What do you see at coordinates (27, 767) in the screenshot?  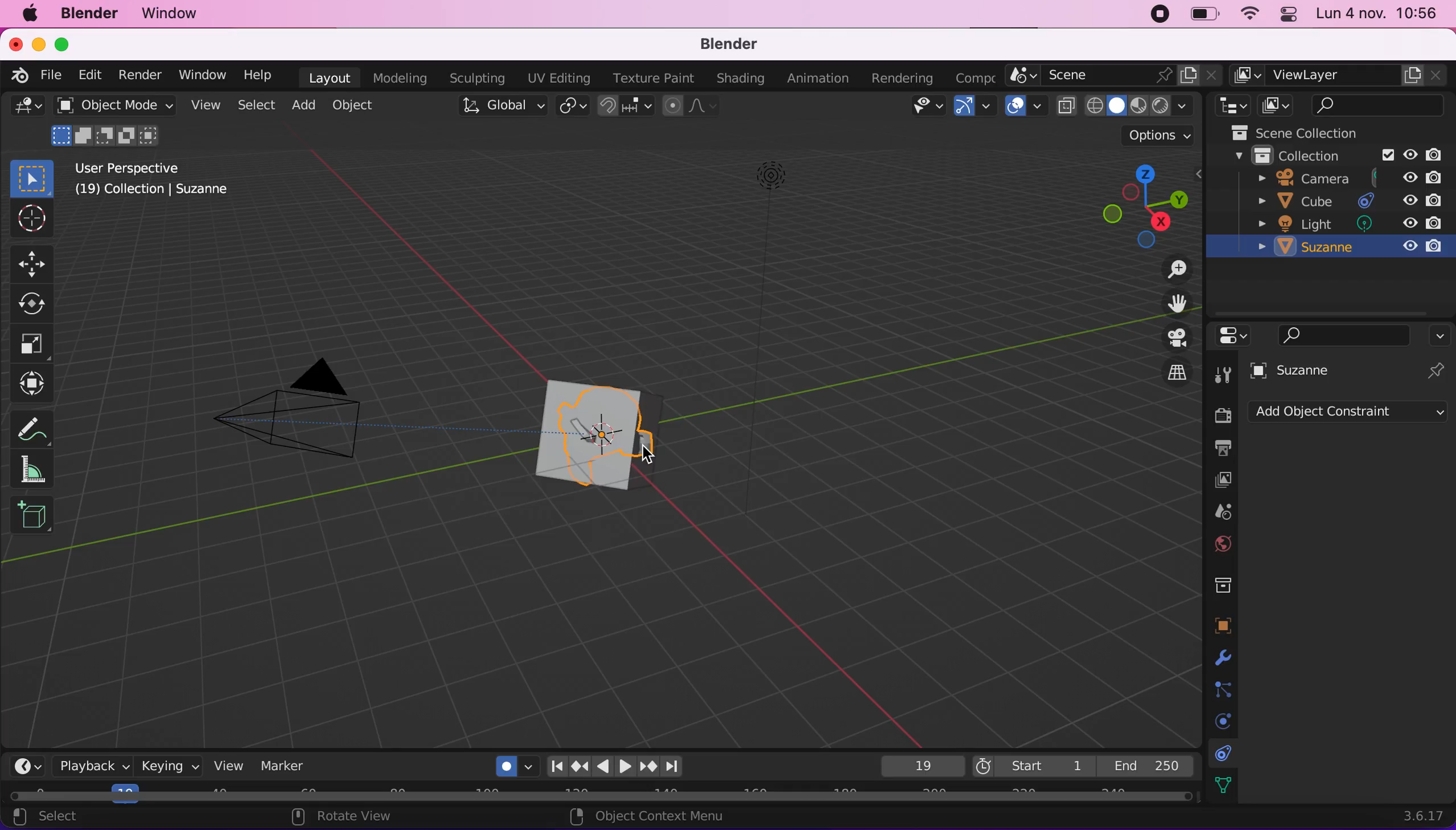 I see `editor type` at bounding box center [27, 767].